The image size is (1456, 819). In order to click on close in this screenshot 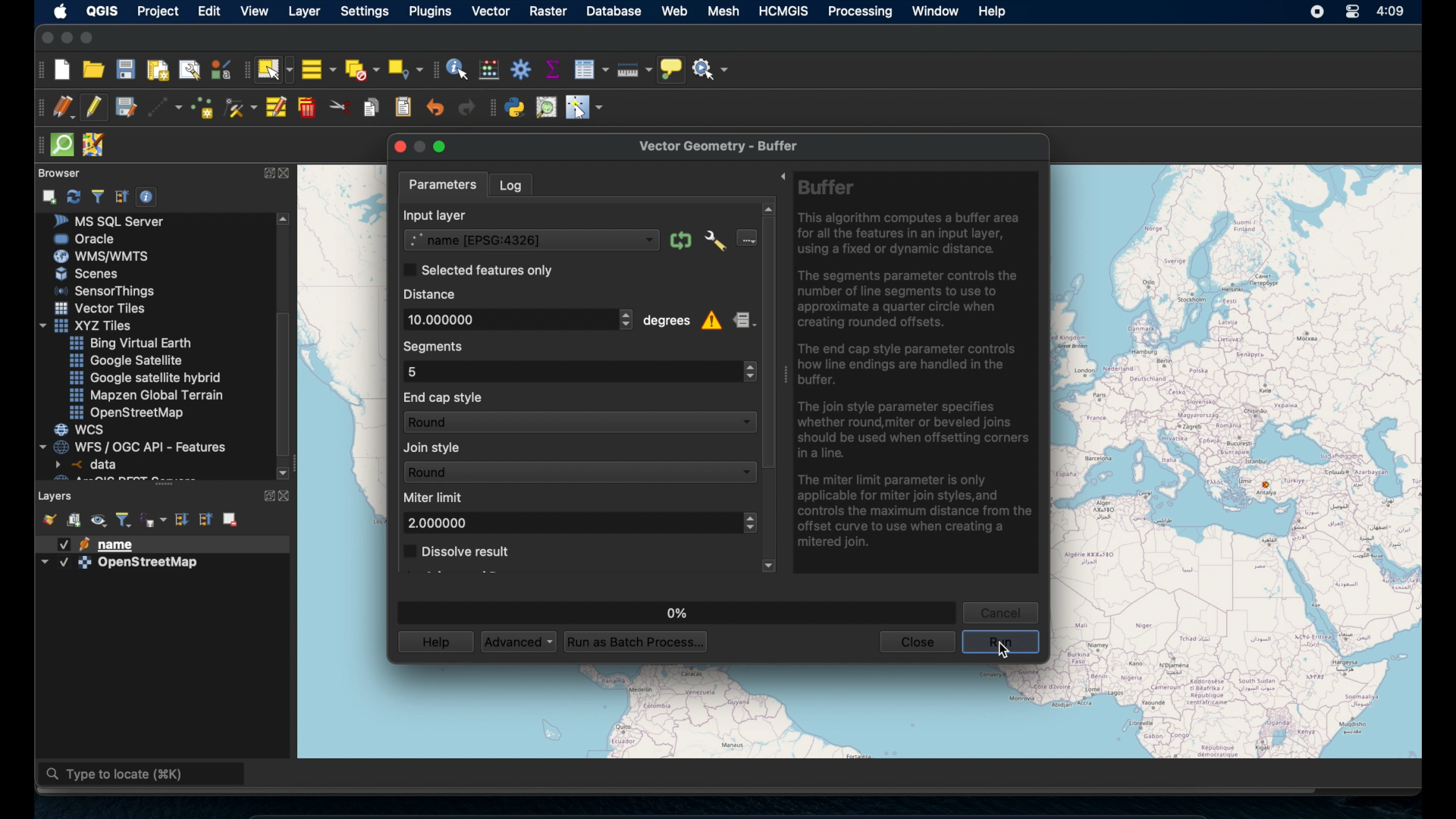, I will do `click(289, 496)`.